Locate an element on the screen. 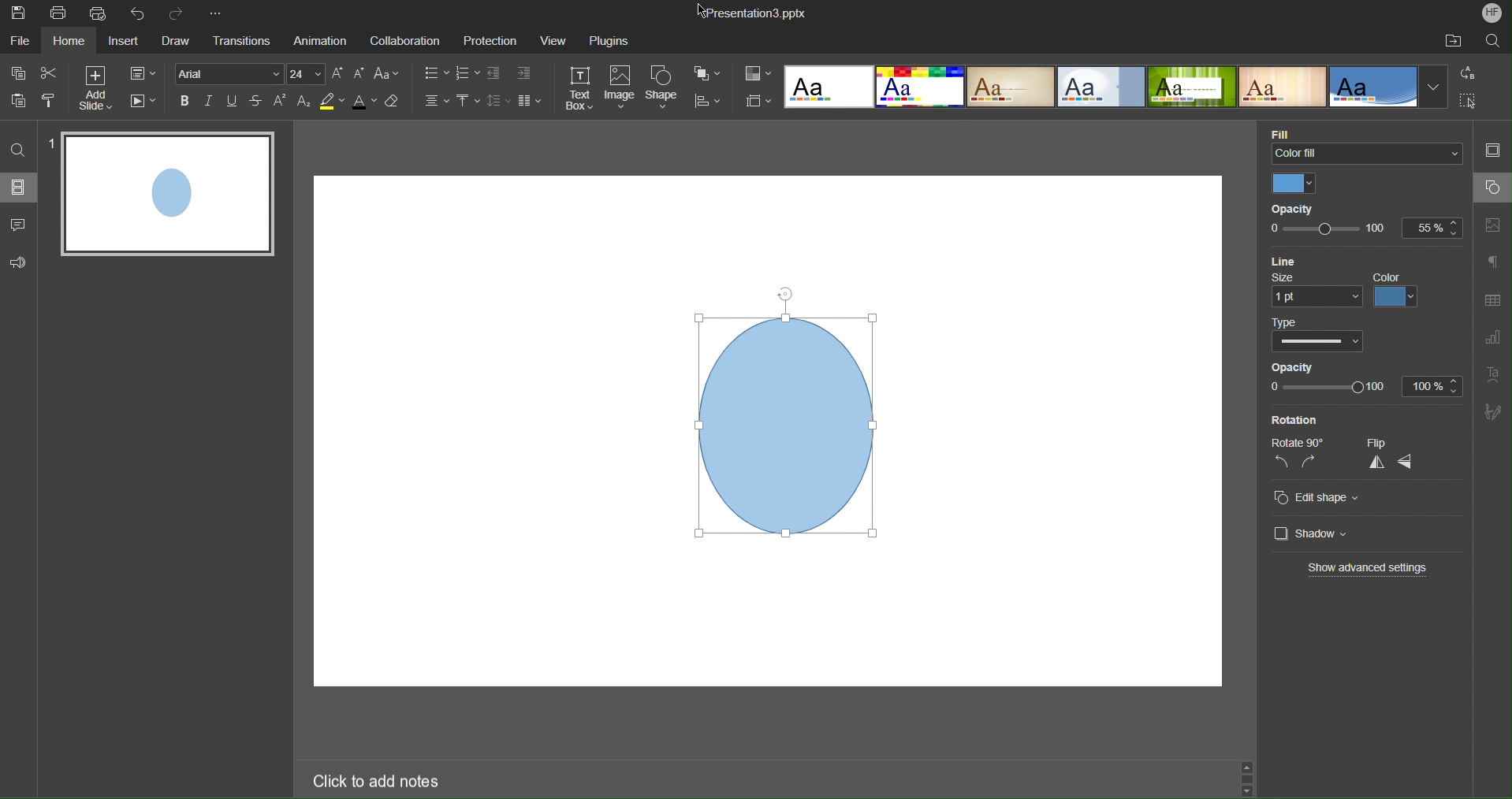  Draw is located at coordinates (177, 43).